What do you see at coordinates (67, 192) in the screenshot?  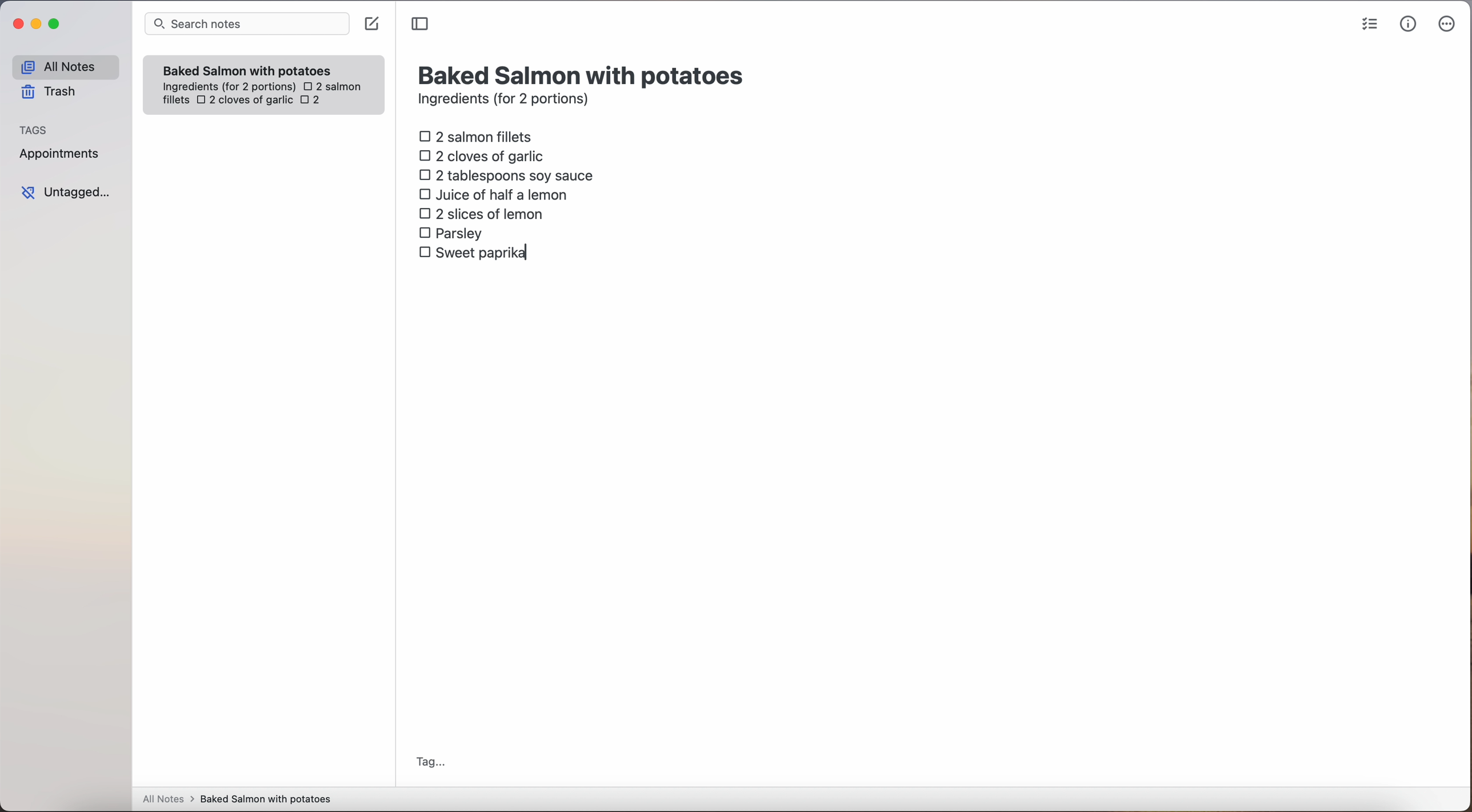 I see `untagged` at bounding box center [67, 192].